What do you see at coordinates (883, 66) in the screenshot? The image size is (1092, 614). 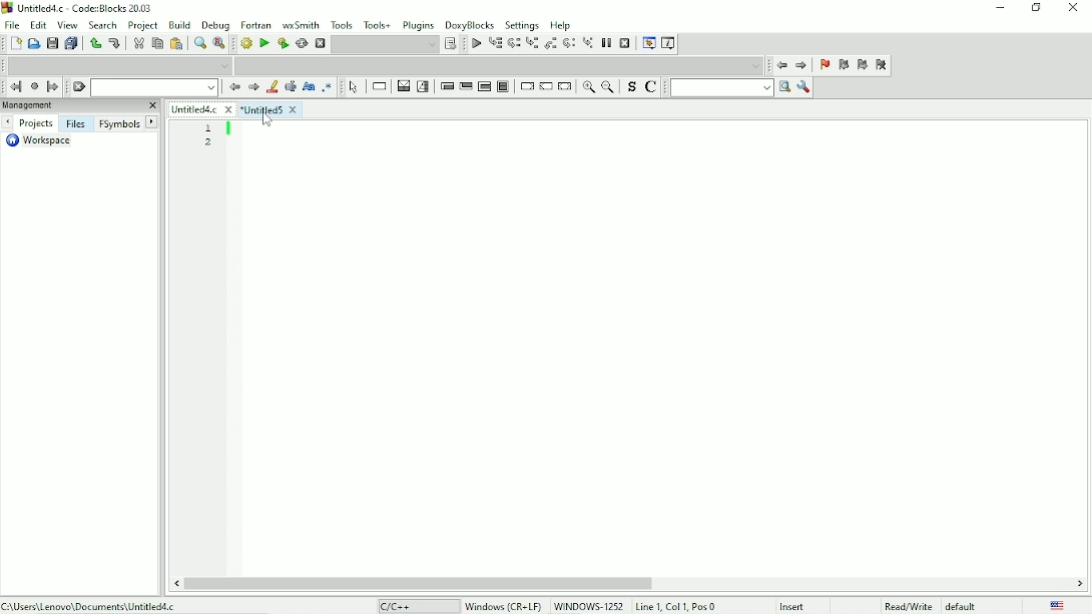 I see `Clear bookmarks` at bounding box center [883, 66].